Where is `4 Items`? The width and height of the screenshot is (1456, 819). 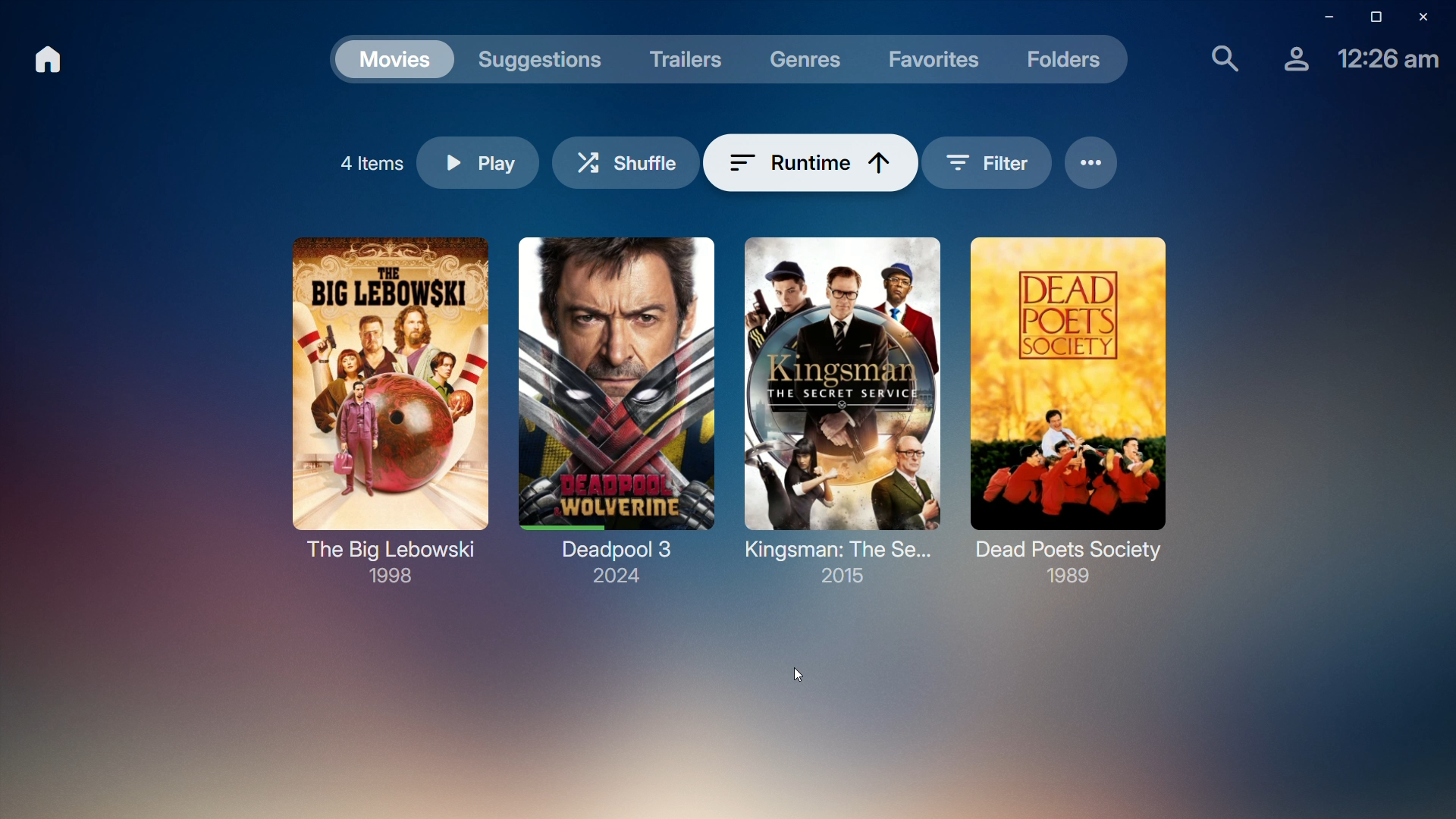 4 Items is located at coordinates (375, 158).